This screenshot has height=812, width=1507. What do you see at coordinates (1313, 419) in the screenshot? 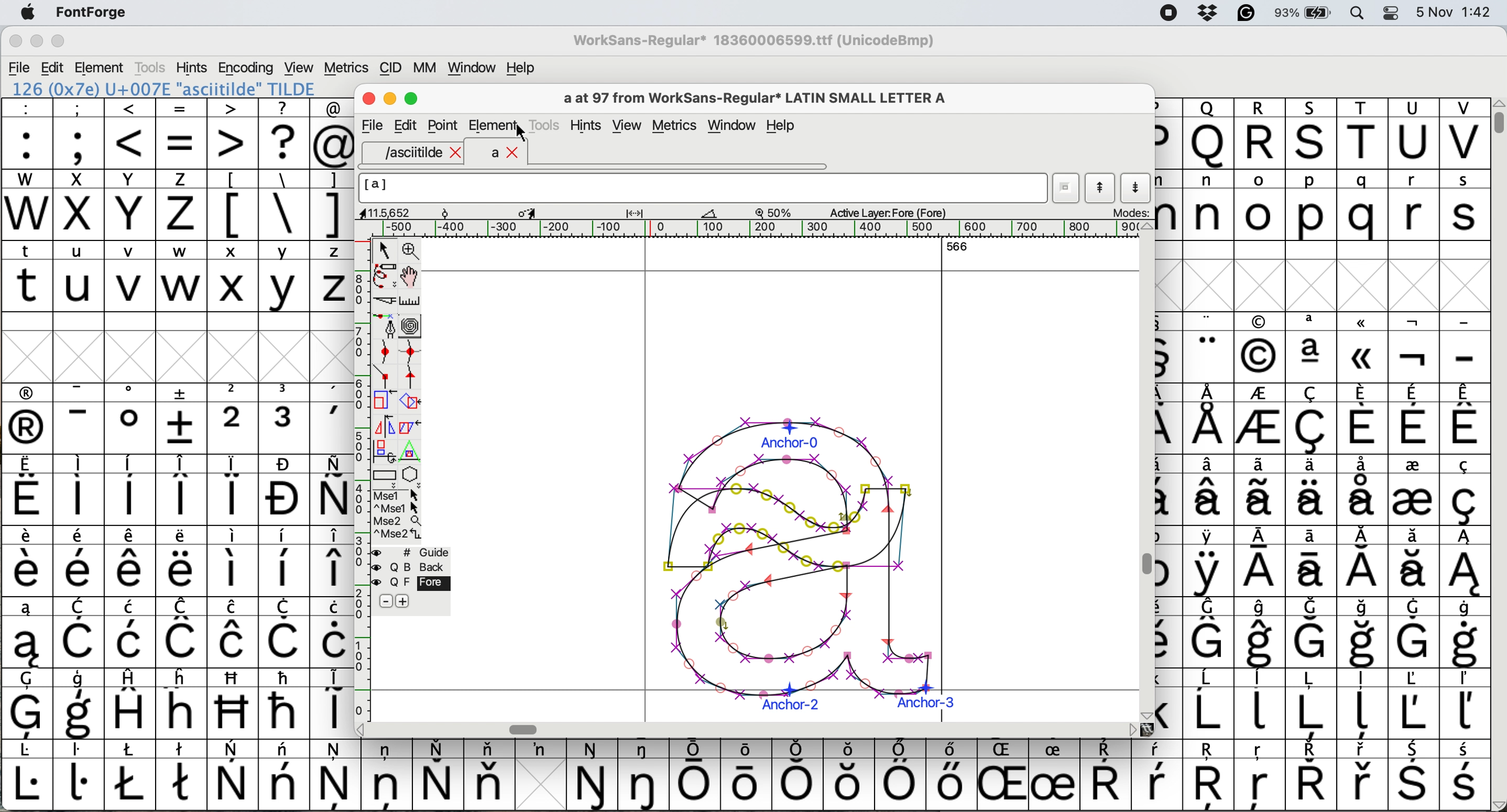
I see `symbol` at bounding box center [1313, 419].